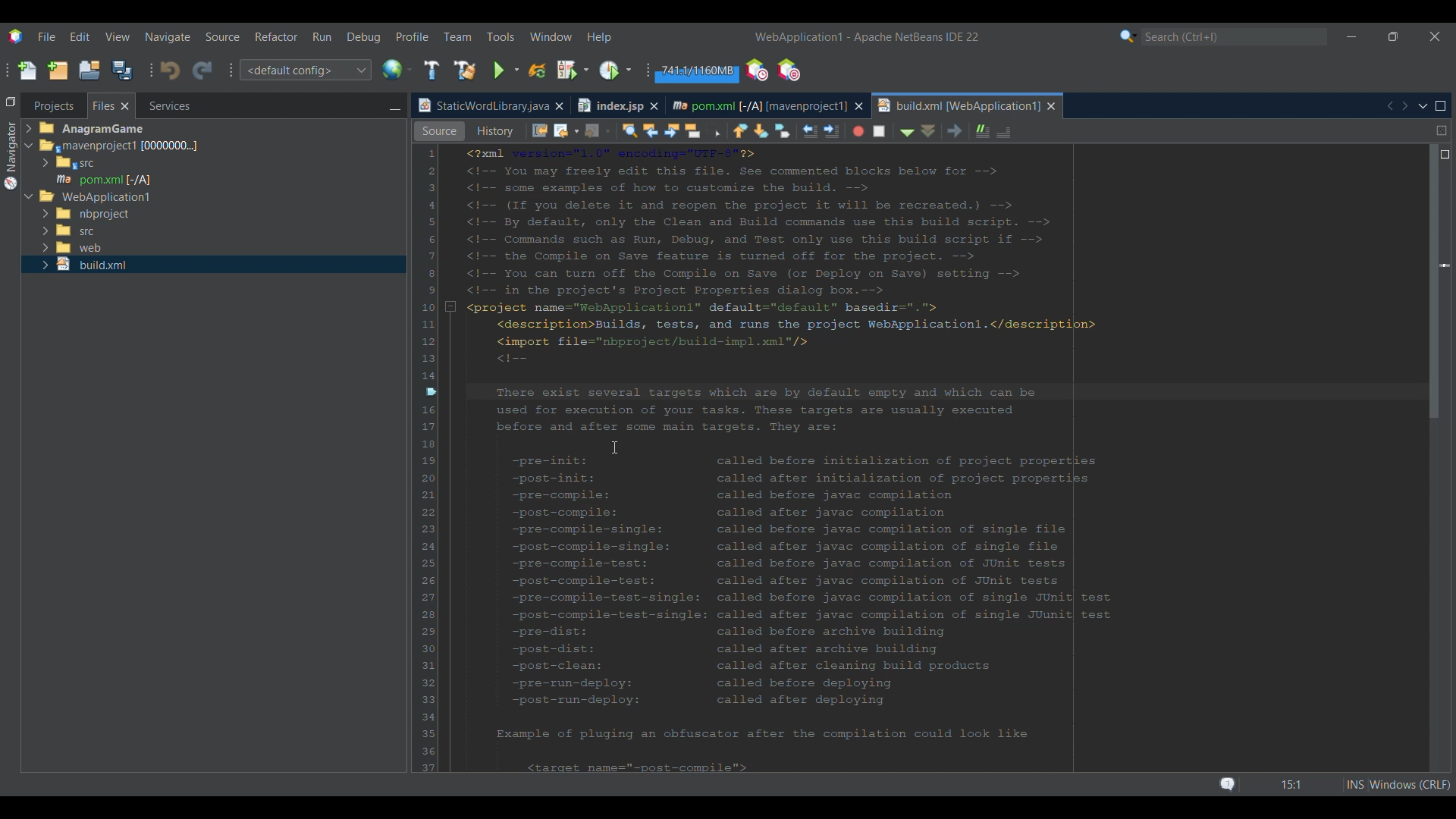 The width and height of the screenshot is (1456, 819). What do you see at coordinates (1351, 37) in the screenshot?
I see `Minimize` at bounding box center [1351, 37].